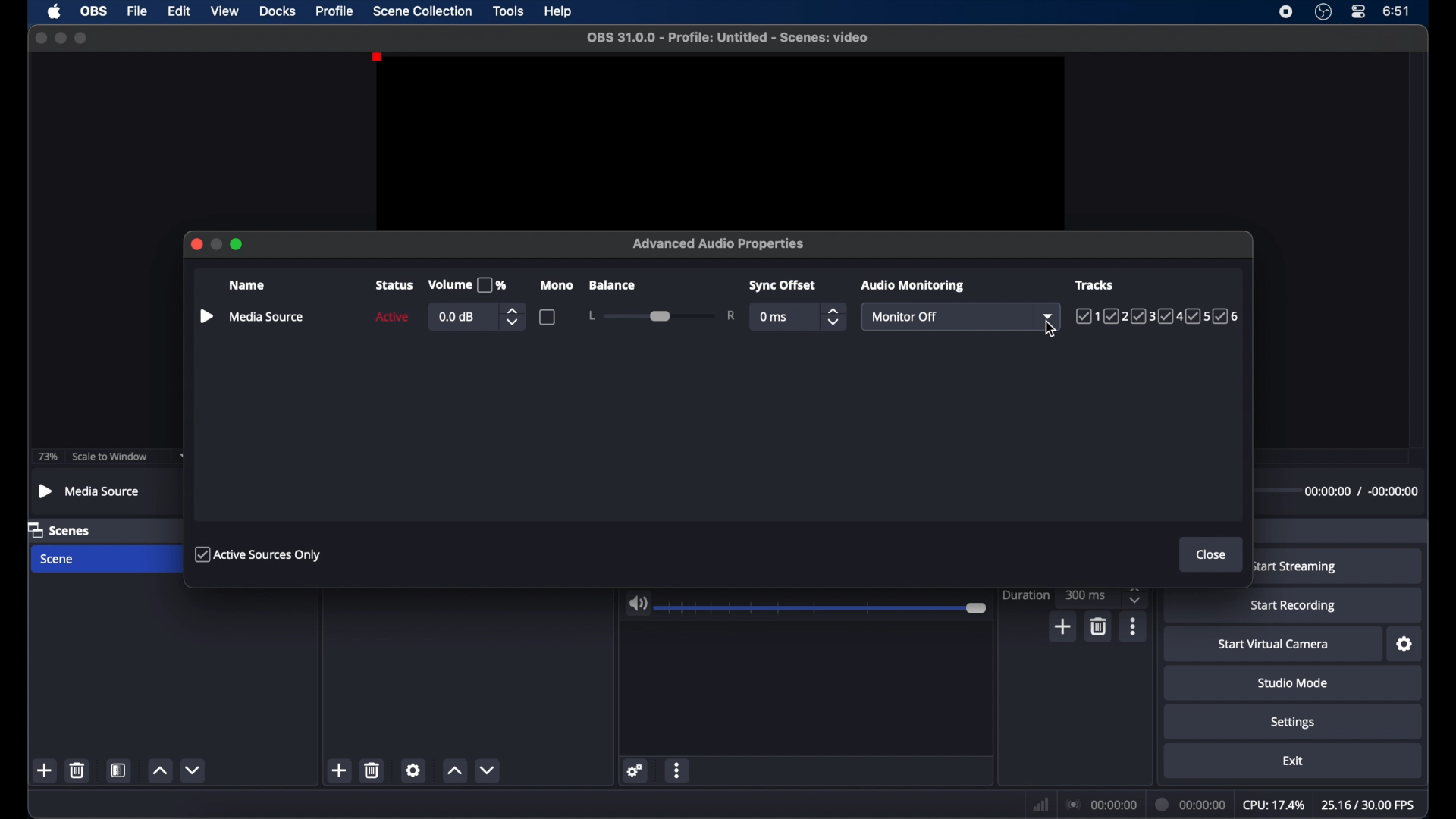 The width and height of the screenshot is (1456, 819). What do you see at coordinates (1041, 804) in the screenshot?
I see `network` at bounding box center [1041, 804].